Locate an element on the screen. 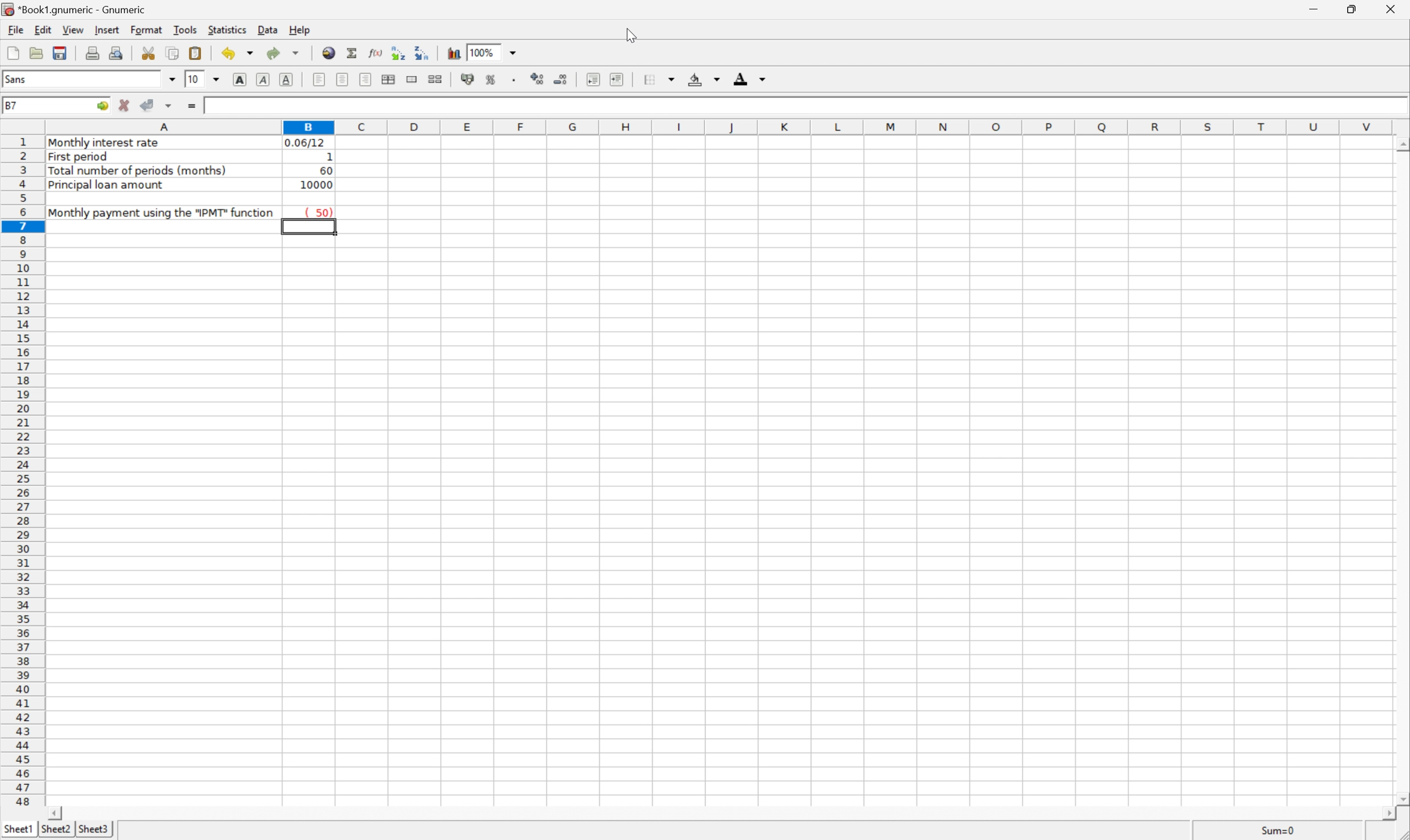 This screenshot has width=1410, height=840. Scroll Right is located at coordinates (1386, 814).